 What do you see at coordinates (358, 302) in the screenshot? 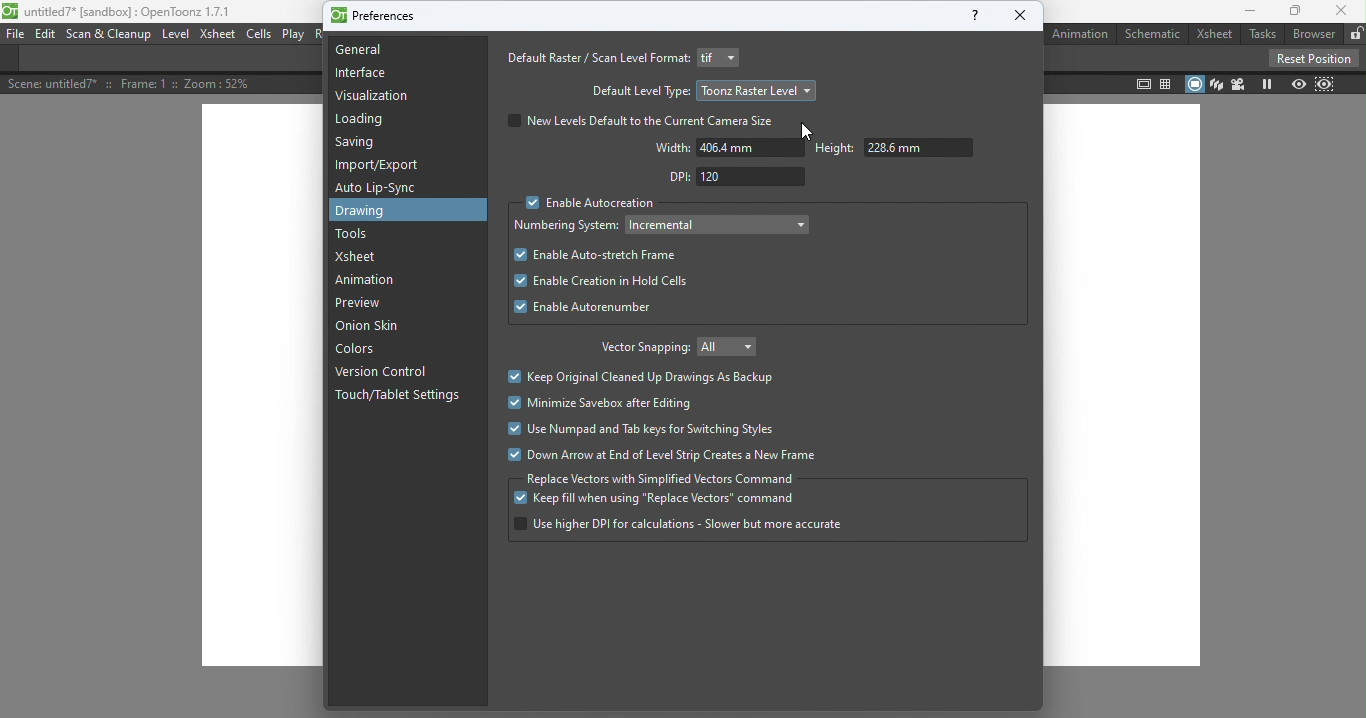
I see `Preview` at bounding box center [358, 302].